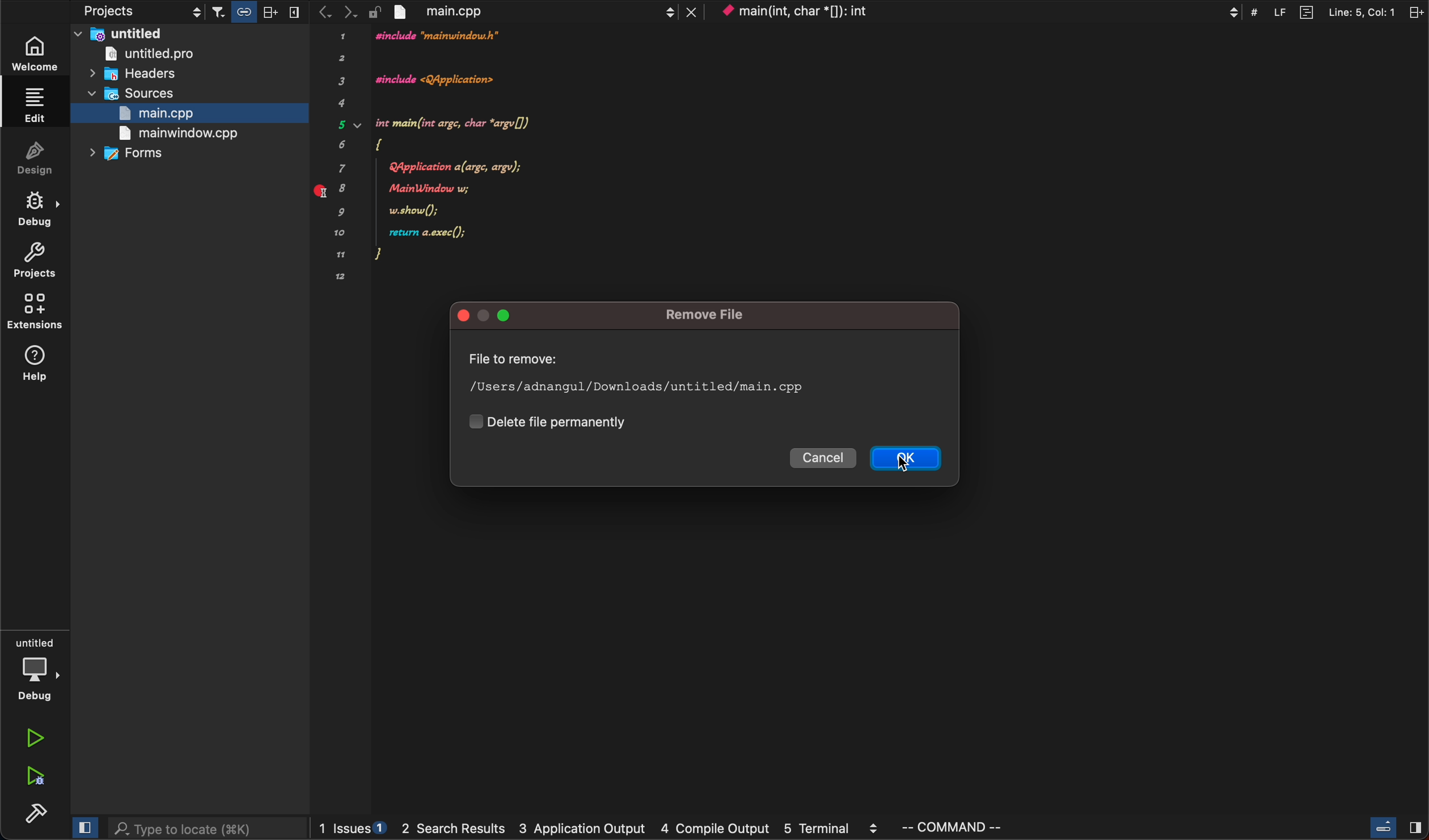 The height and width of the screenshot is (840, 1429). Describe the element at coordinates (137, 76) in the screenshot. I see `headers` at that location.